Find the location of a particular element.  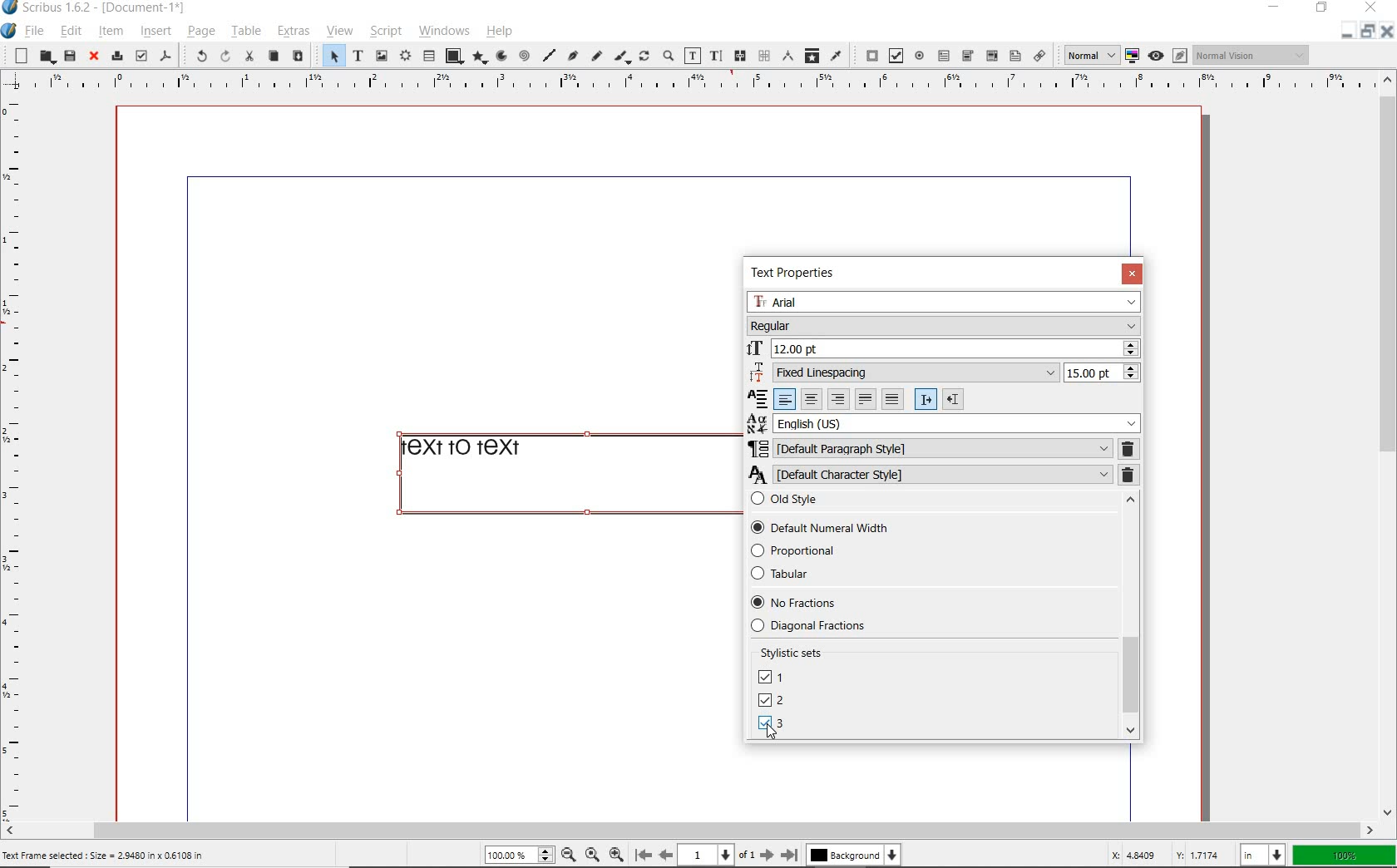

edit is located at coordinates (71, 31).